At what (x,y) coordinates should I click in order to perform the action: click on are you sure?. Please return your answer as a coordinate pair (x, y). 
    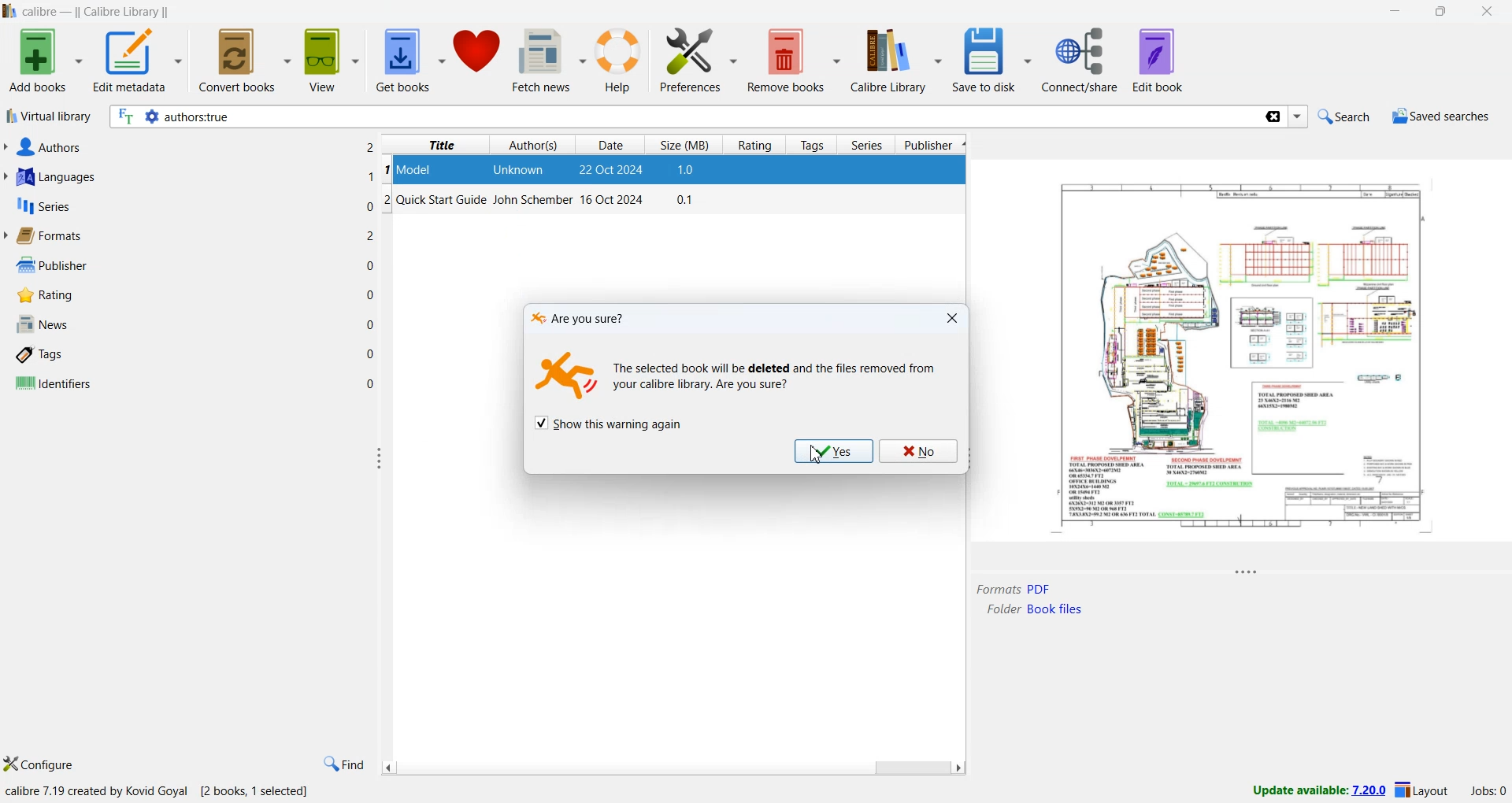
    Looking at the image, I should click on (582, 318).